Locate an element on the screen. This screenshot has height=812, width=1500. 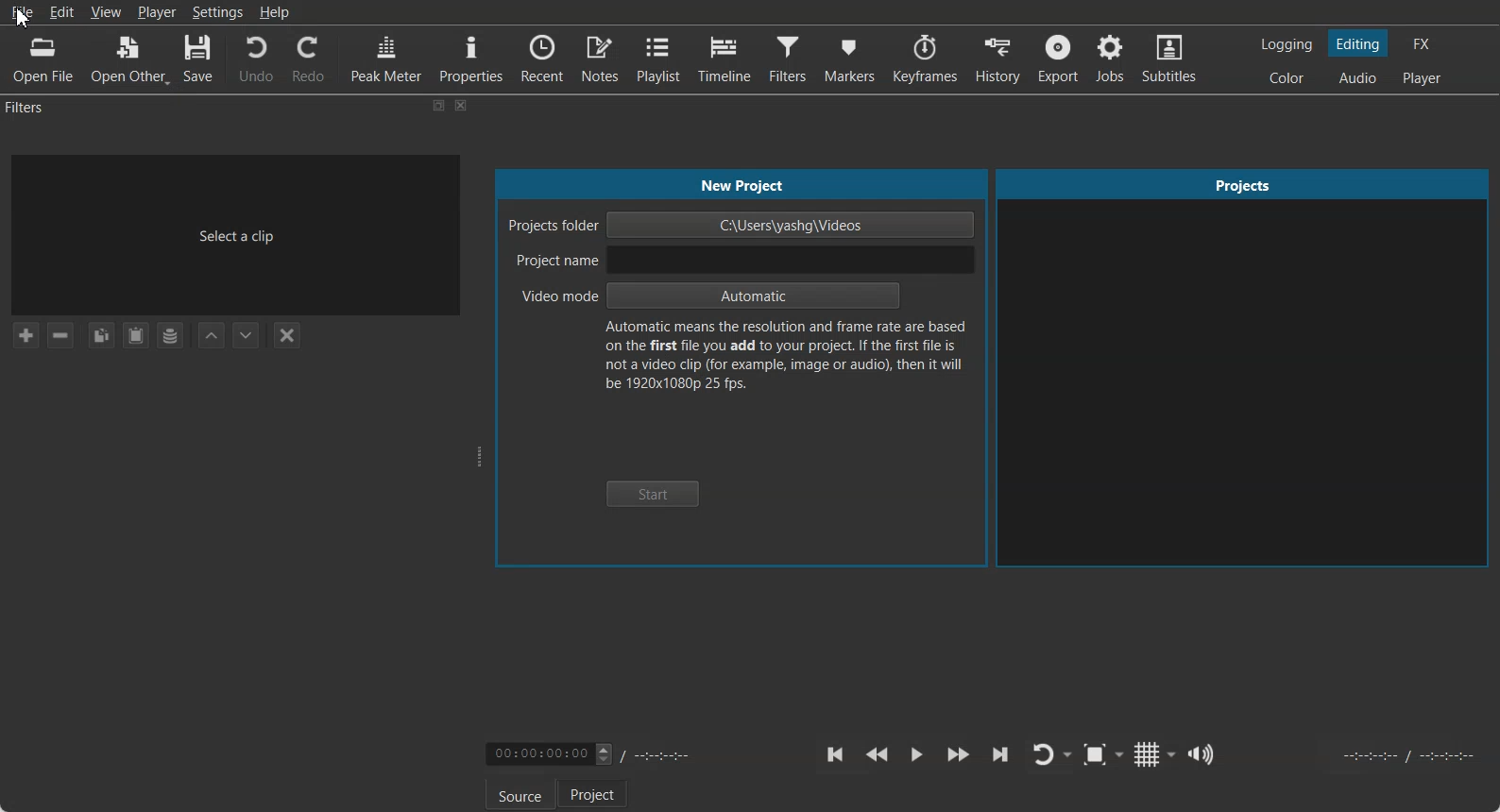
Video mode is located at coordinates (551, 296).